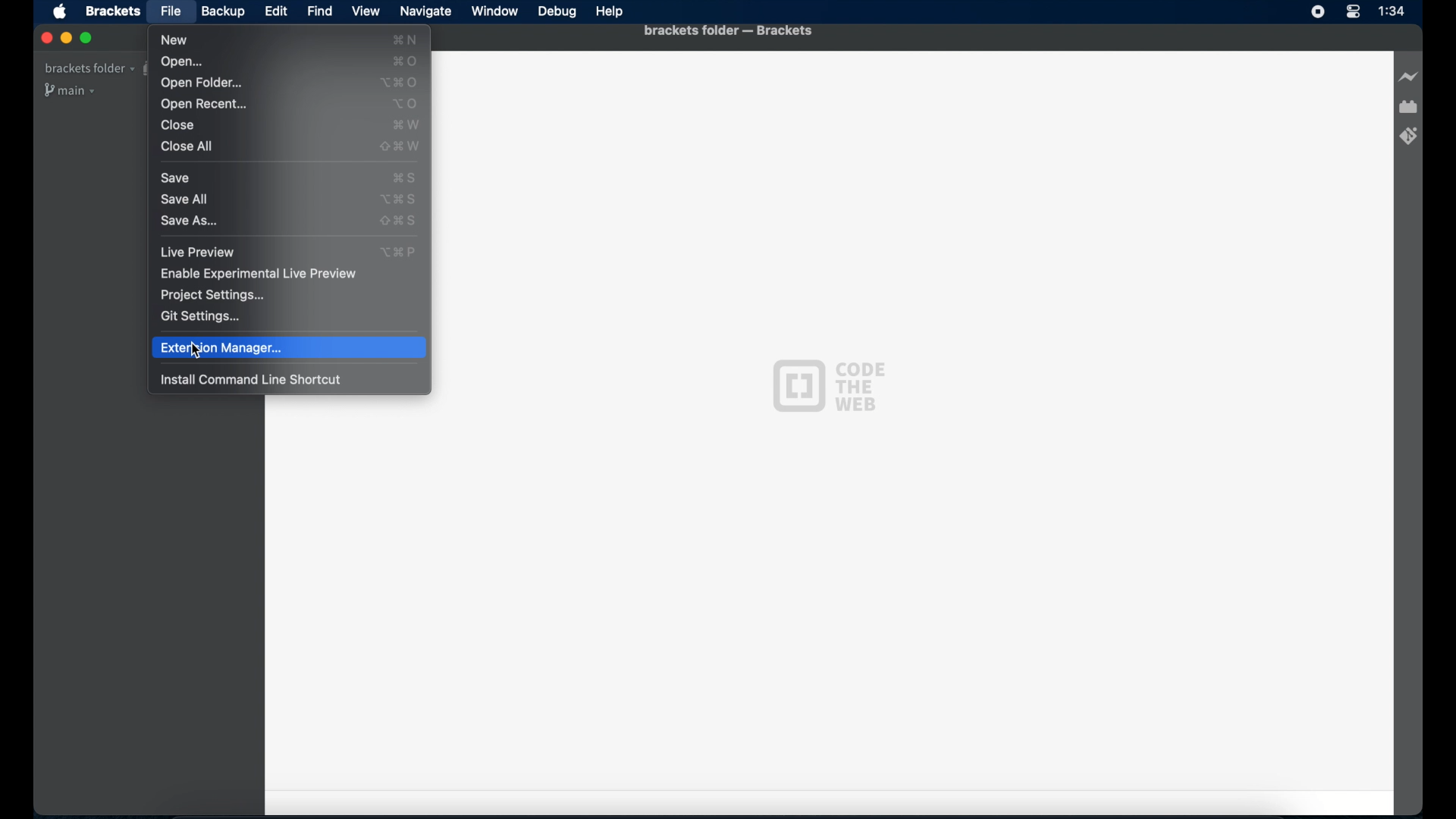 This screenshot has width=1456, height=819. Describe the element at coordinates (1408, 107) in the screenshot. I see `Extension manager` at that location.